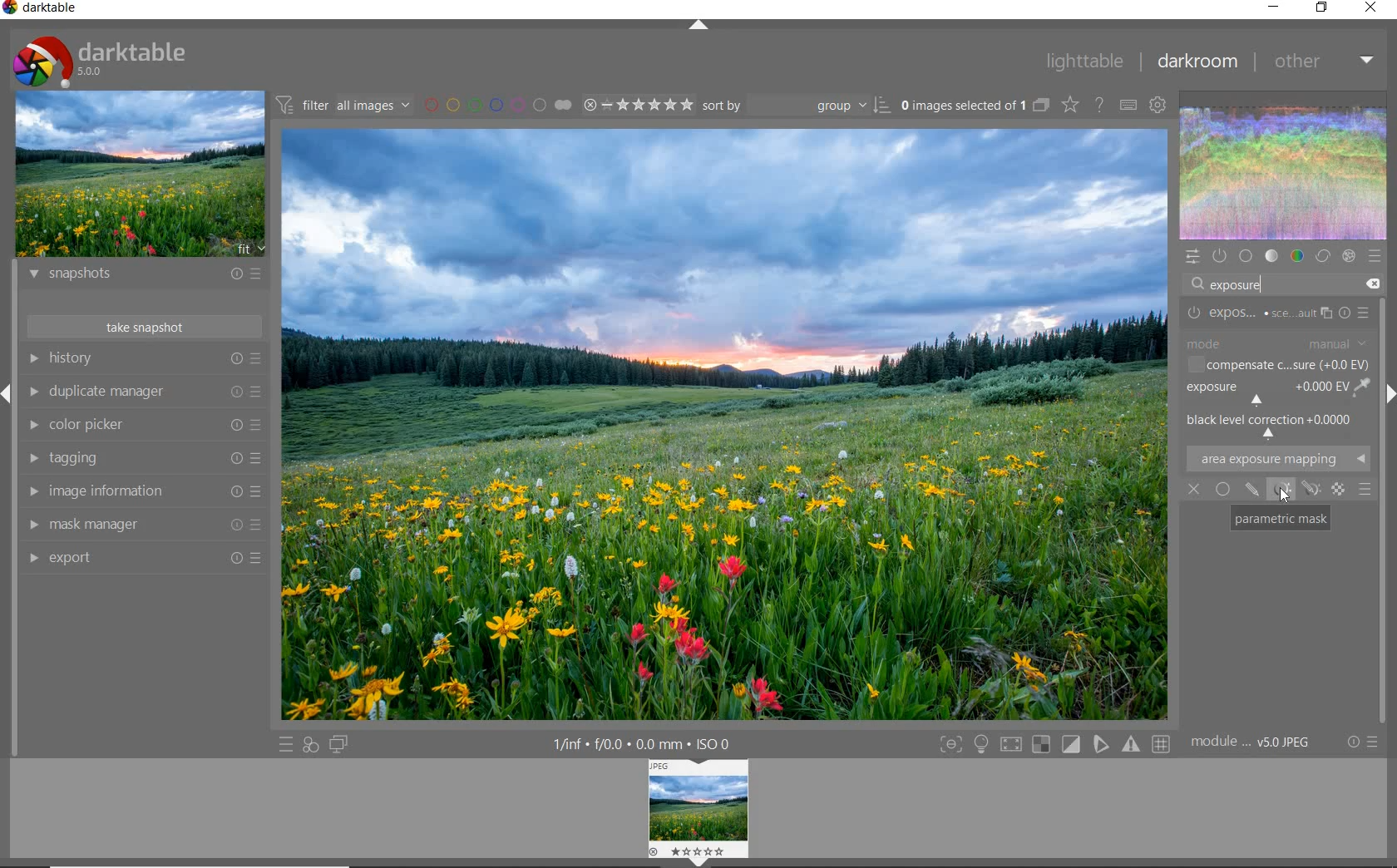  What do you see at coordinates (101, 60) in the screenshot?
I see `system logo` at bounding box center [101, 60].